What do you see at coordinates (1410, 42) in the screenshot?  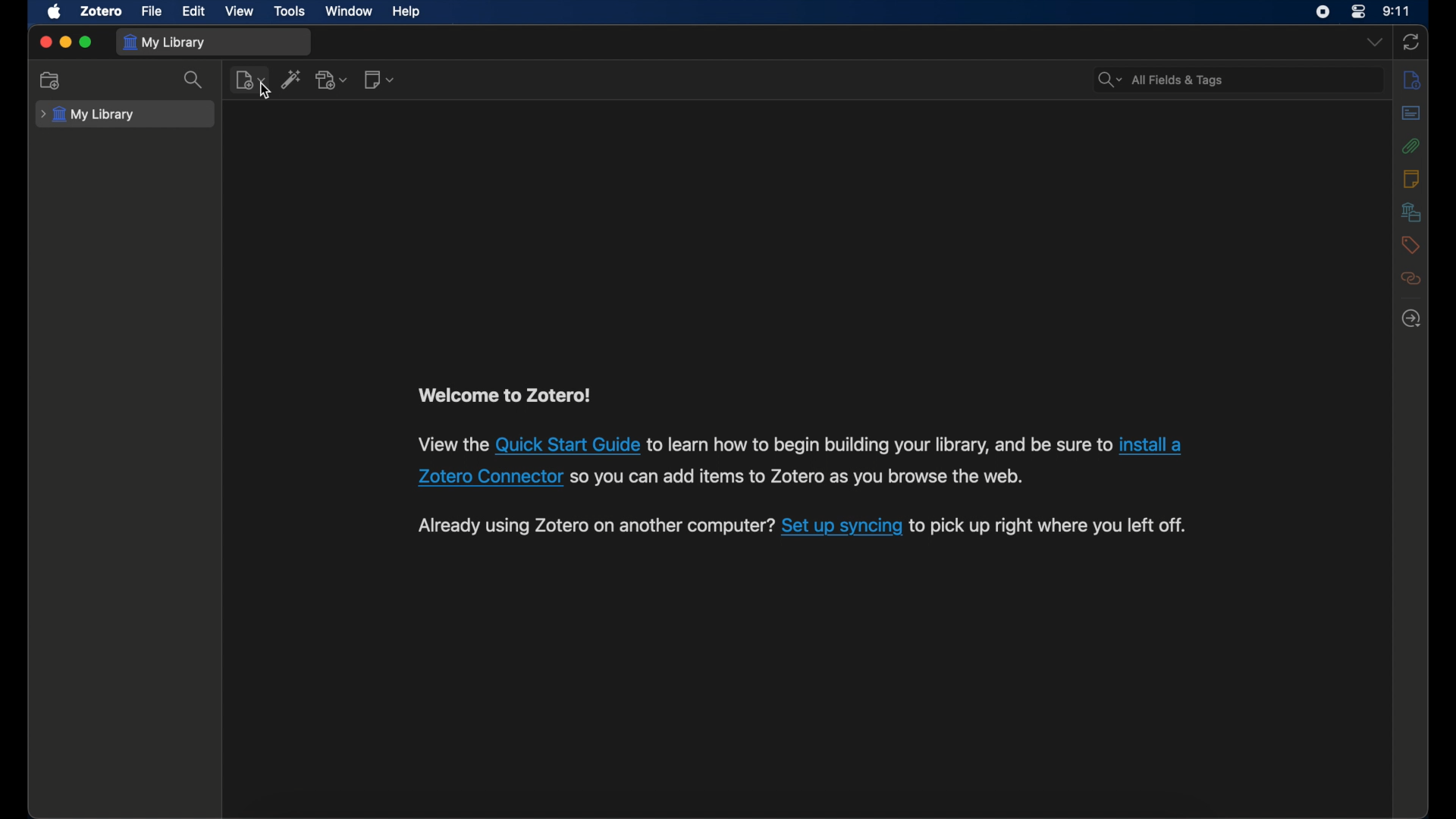 I see `sync` at bounding box center [1410, 42].